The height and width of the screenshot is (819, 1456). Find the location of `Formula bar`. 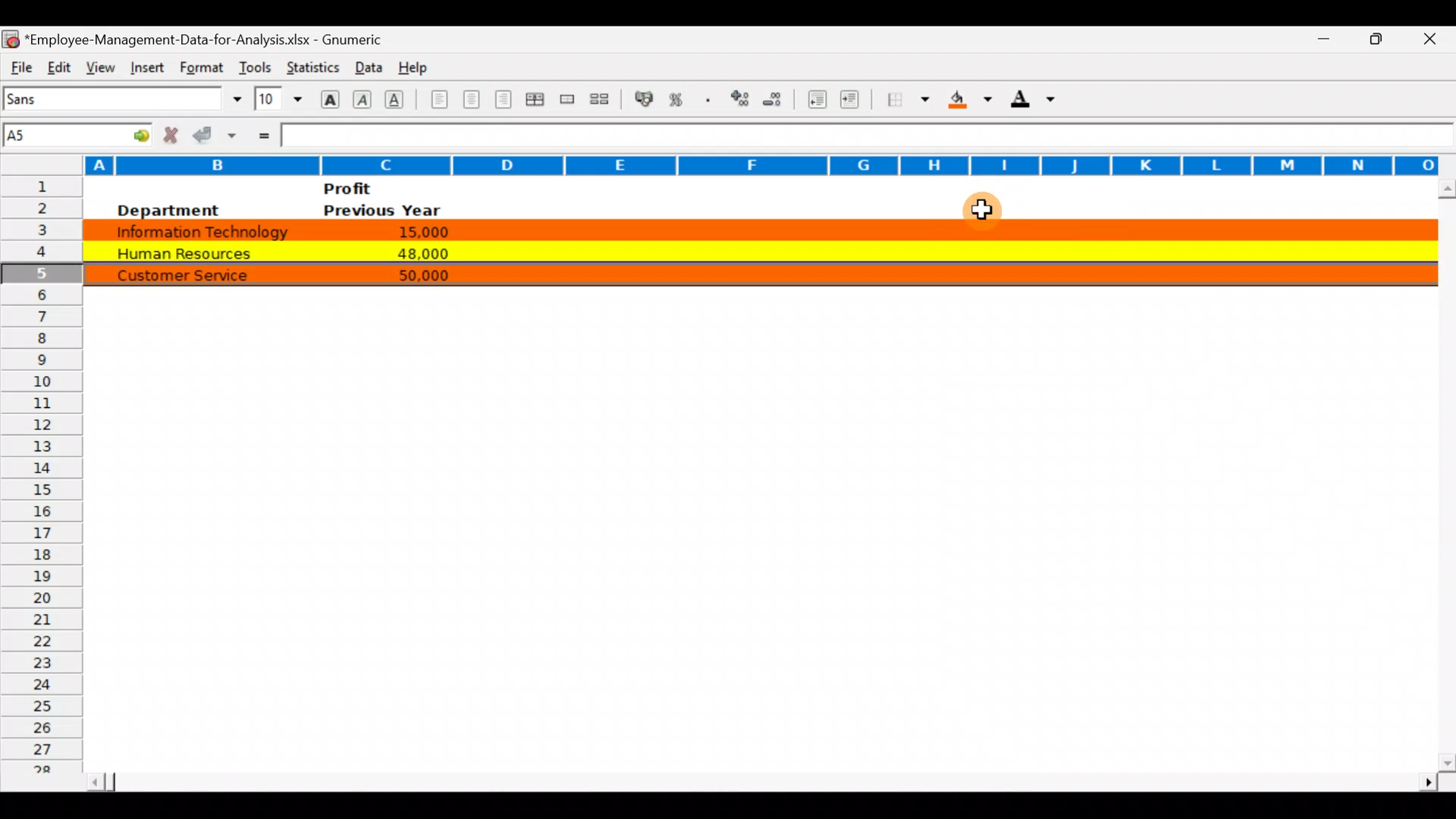

Formula bar is located at coordinates (866, 136).